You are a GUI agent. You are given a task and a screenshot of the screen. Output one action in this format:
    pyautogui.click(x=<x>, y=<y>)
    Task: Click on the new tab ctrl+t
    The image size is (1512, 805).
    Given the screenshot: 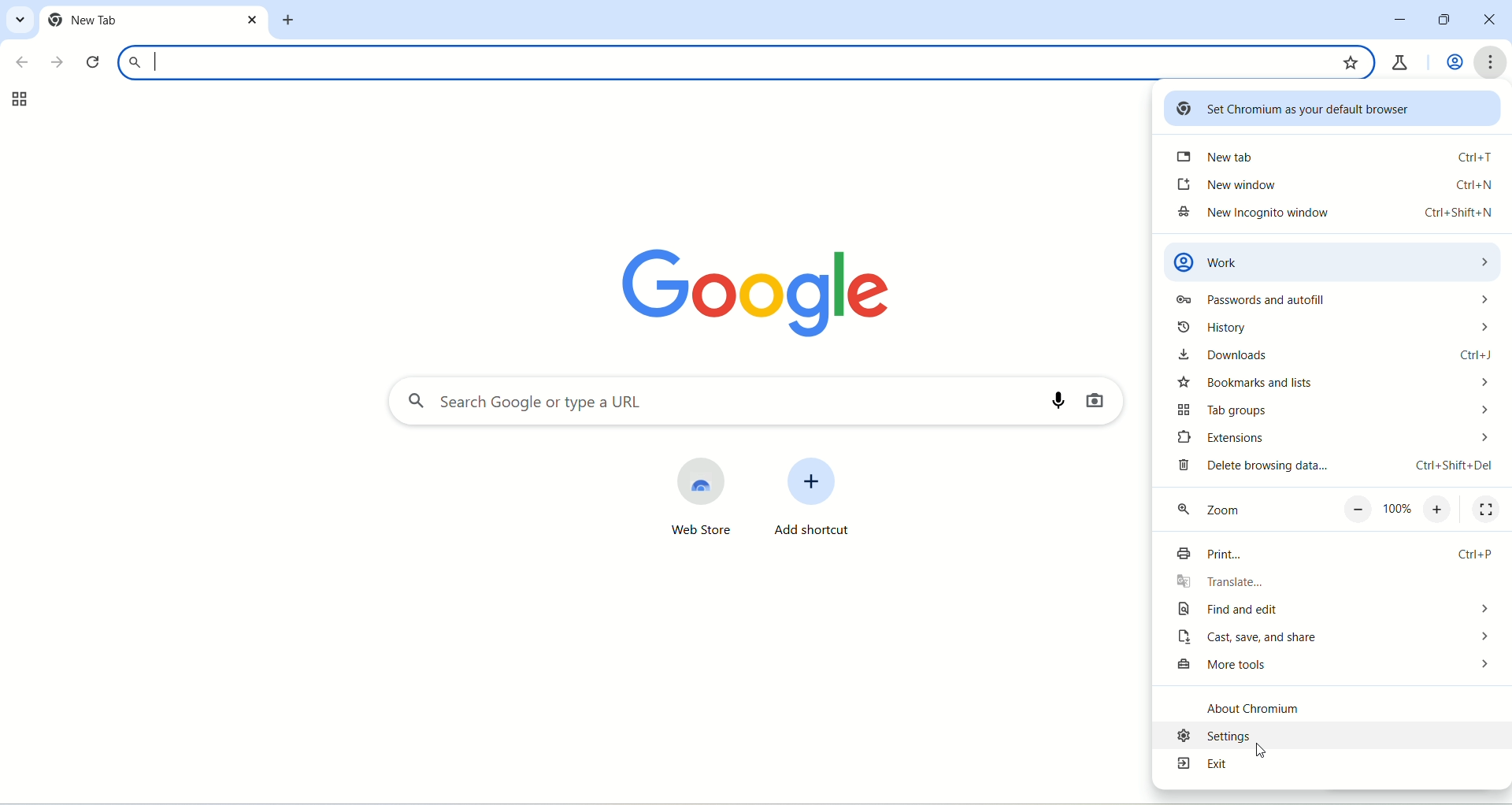 What is the action you would take?
    pyautogui.click(x=1338, y=160)
    